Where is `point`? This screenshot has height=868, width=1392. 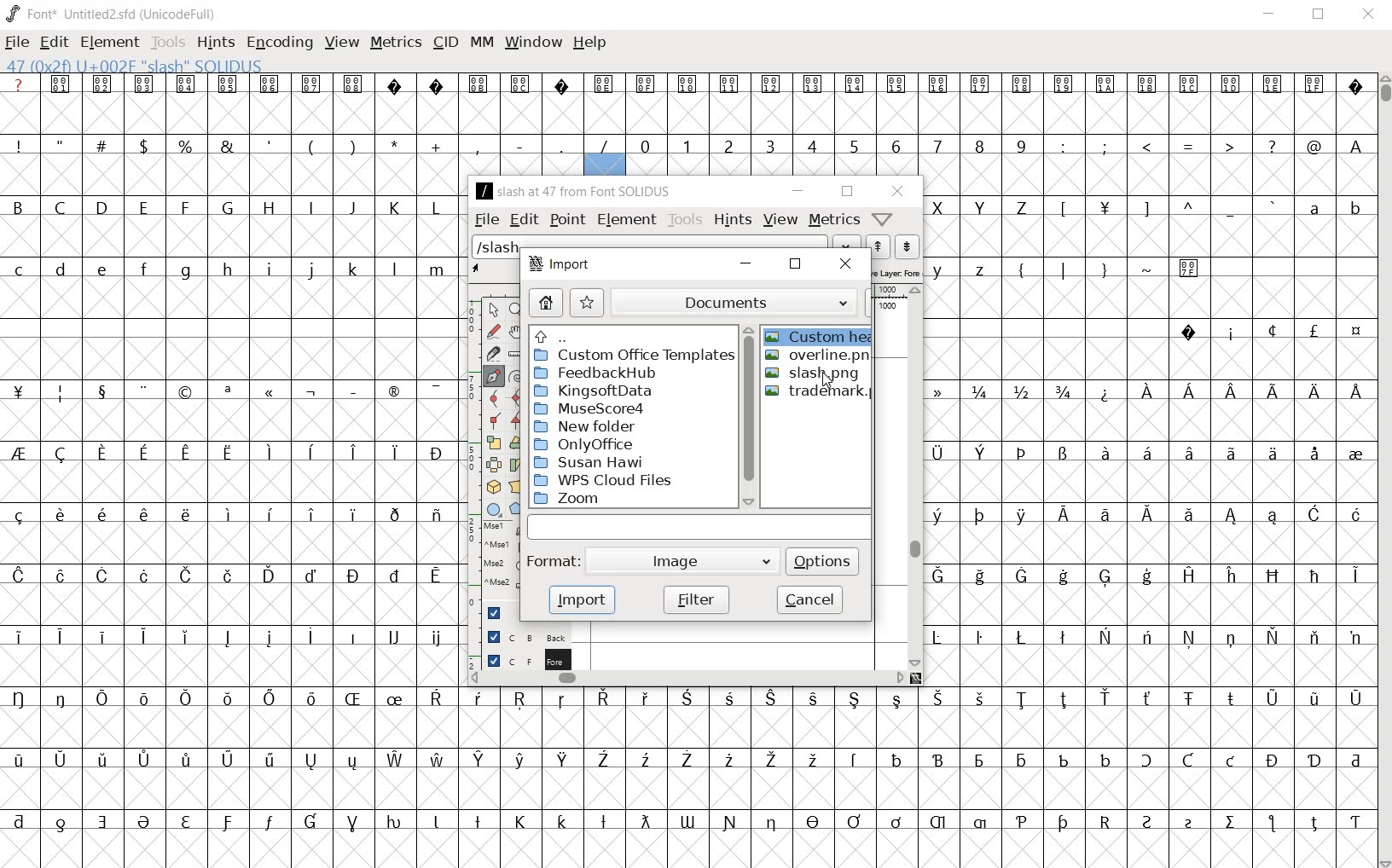 point is located at coordinates (565, 219).